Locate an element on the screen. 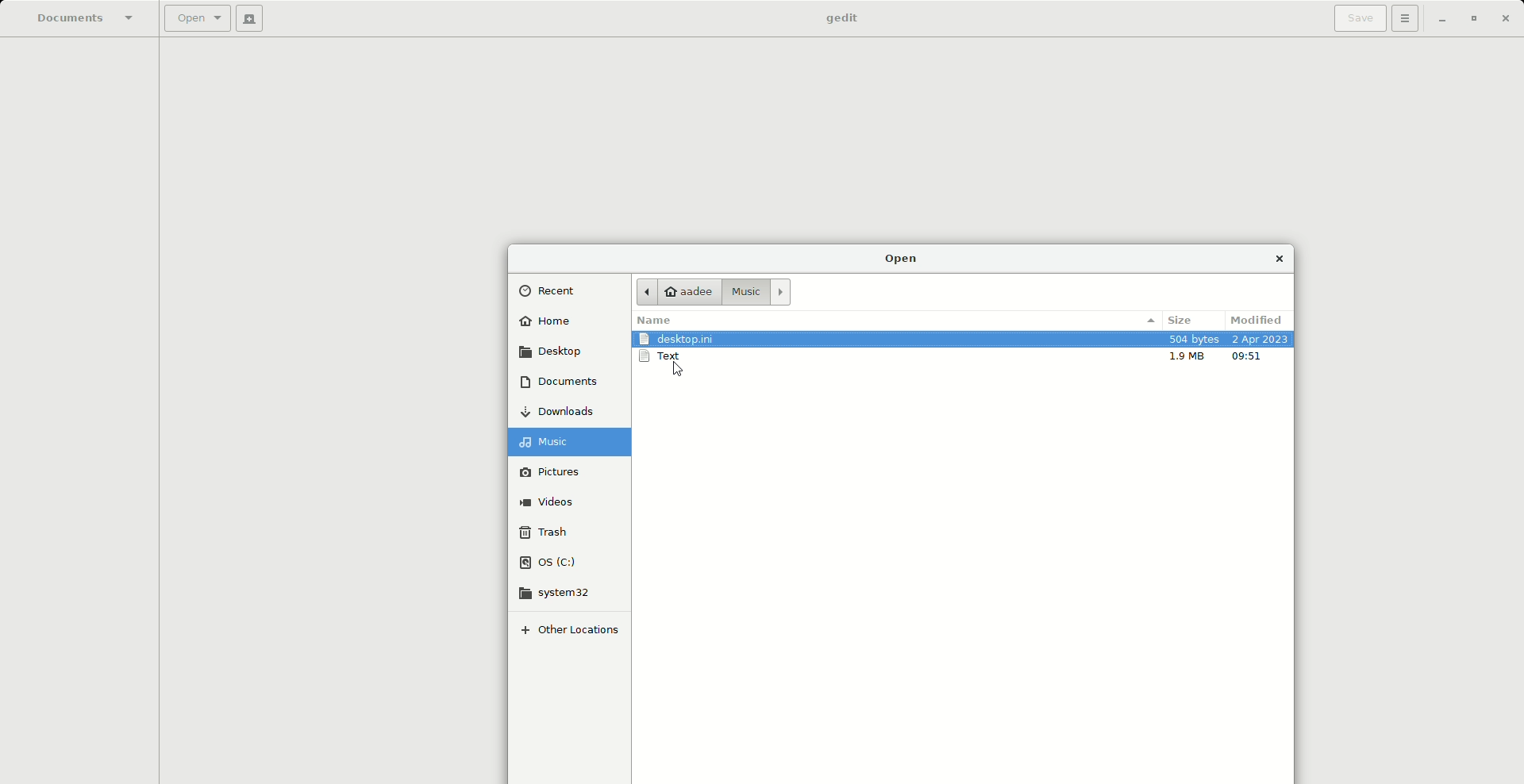 The width and height of the screenshot is (1524, 784). Desktop is located at coordinates (558, 356).